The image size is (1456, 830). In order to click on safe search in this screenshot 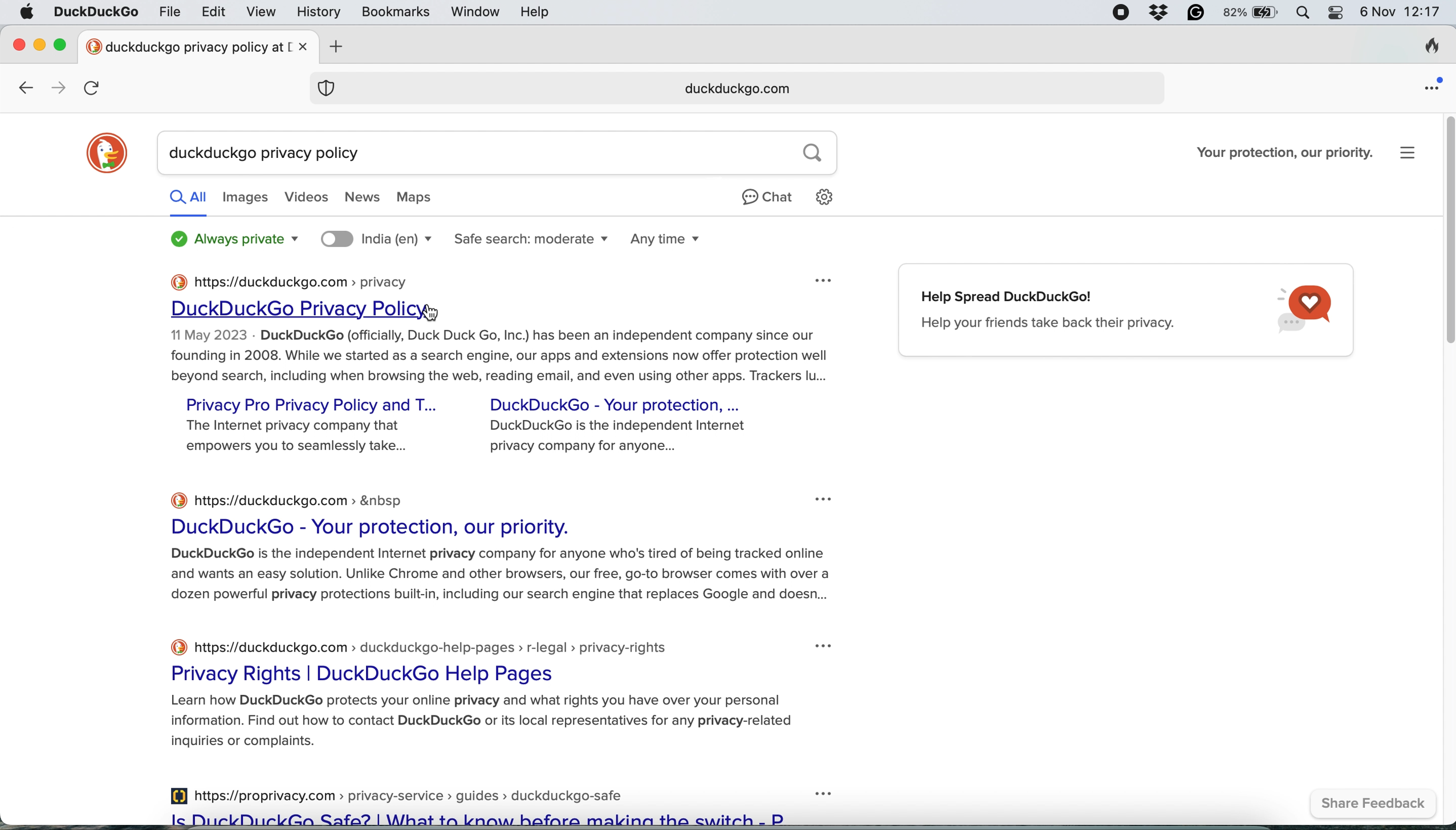, I will do `click(529, 239)`.